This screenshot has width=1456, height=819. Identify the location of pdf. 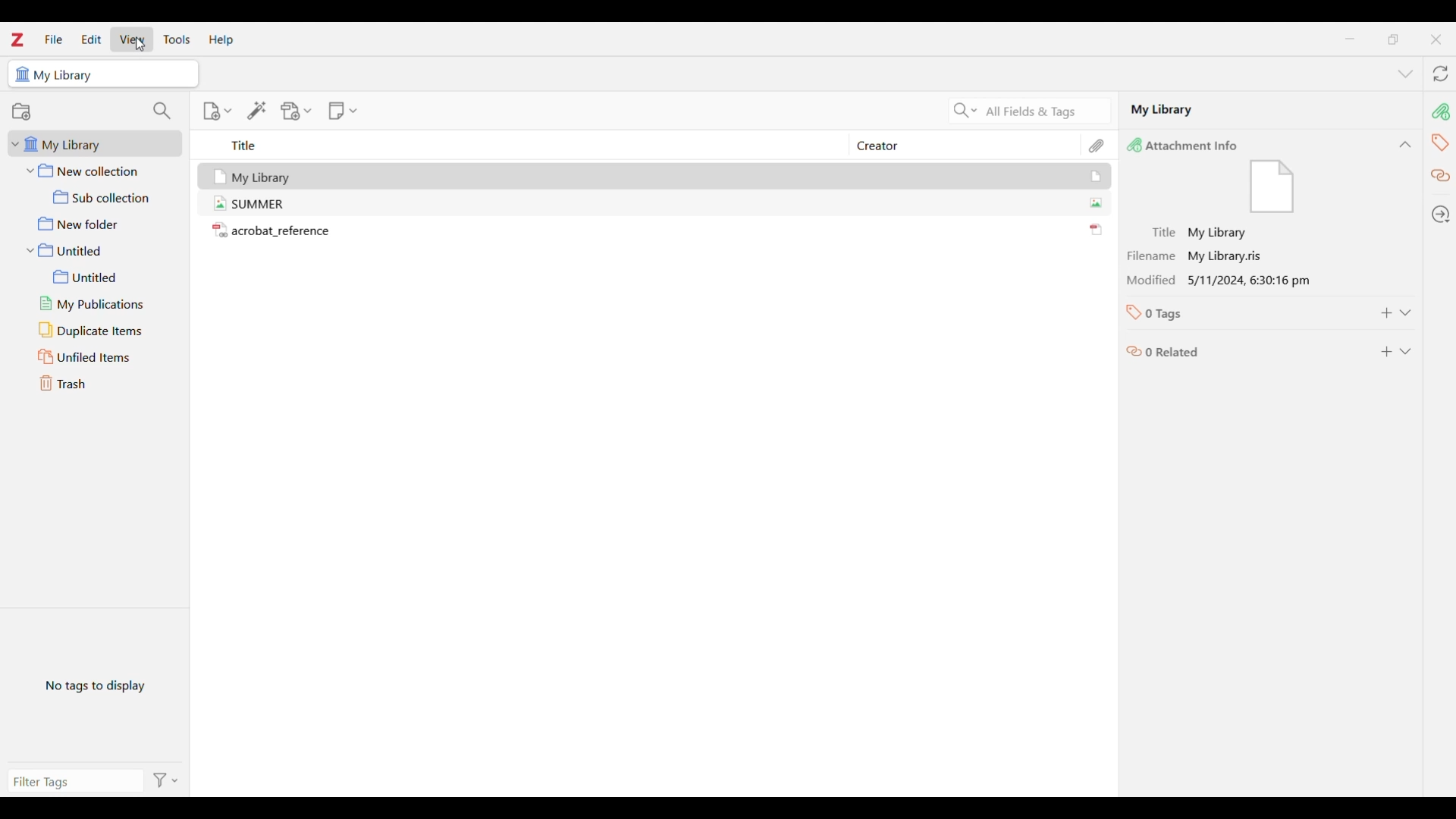
(1091, 224).